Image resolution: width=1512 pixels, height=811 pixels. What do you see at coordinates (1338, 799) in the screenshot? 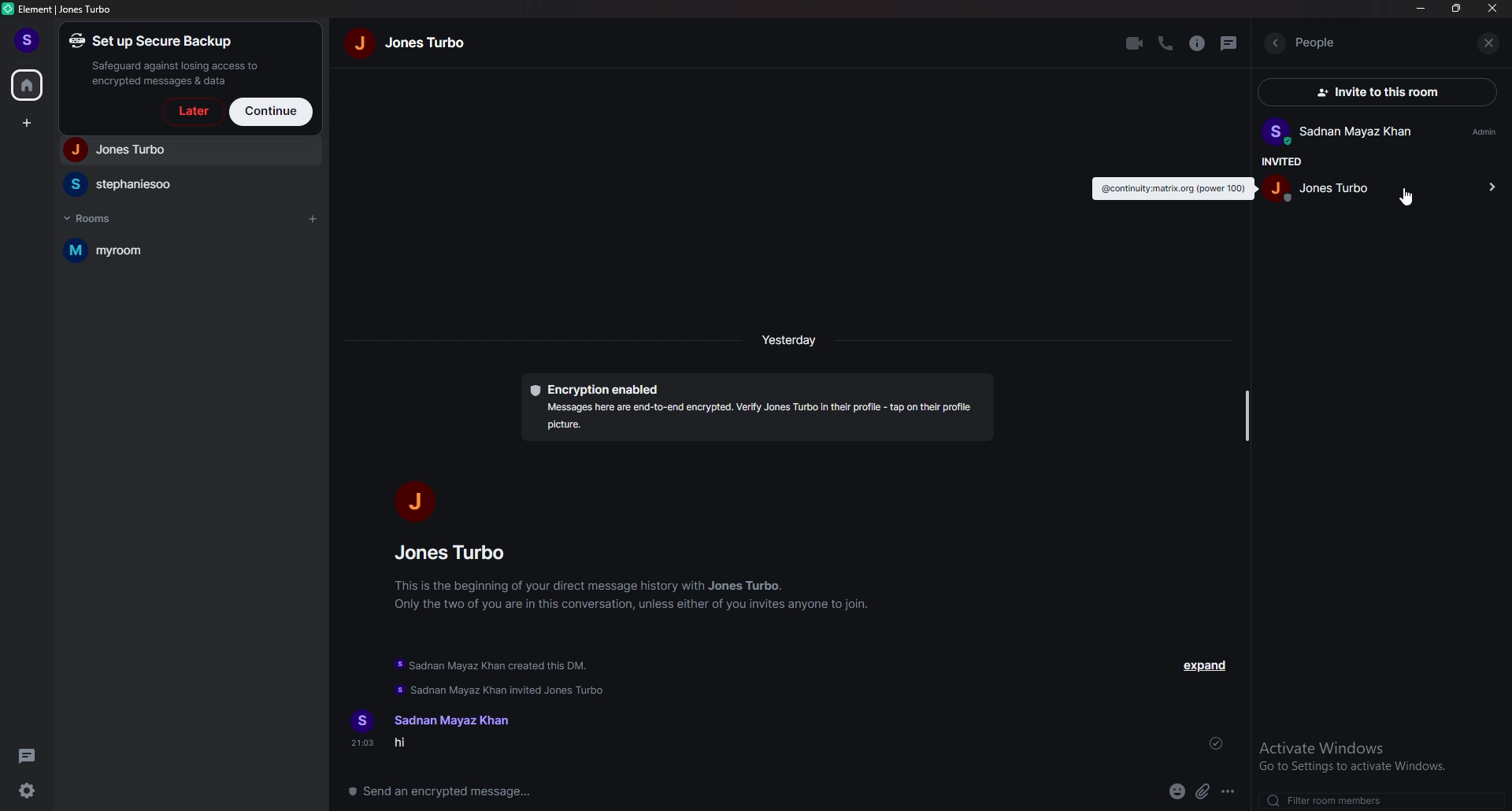
I see `filter room members` at bounding box center [1338, 799].